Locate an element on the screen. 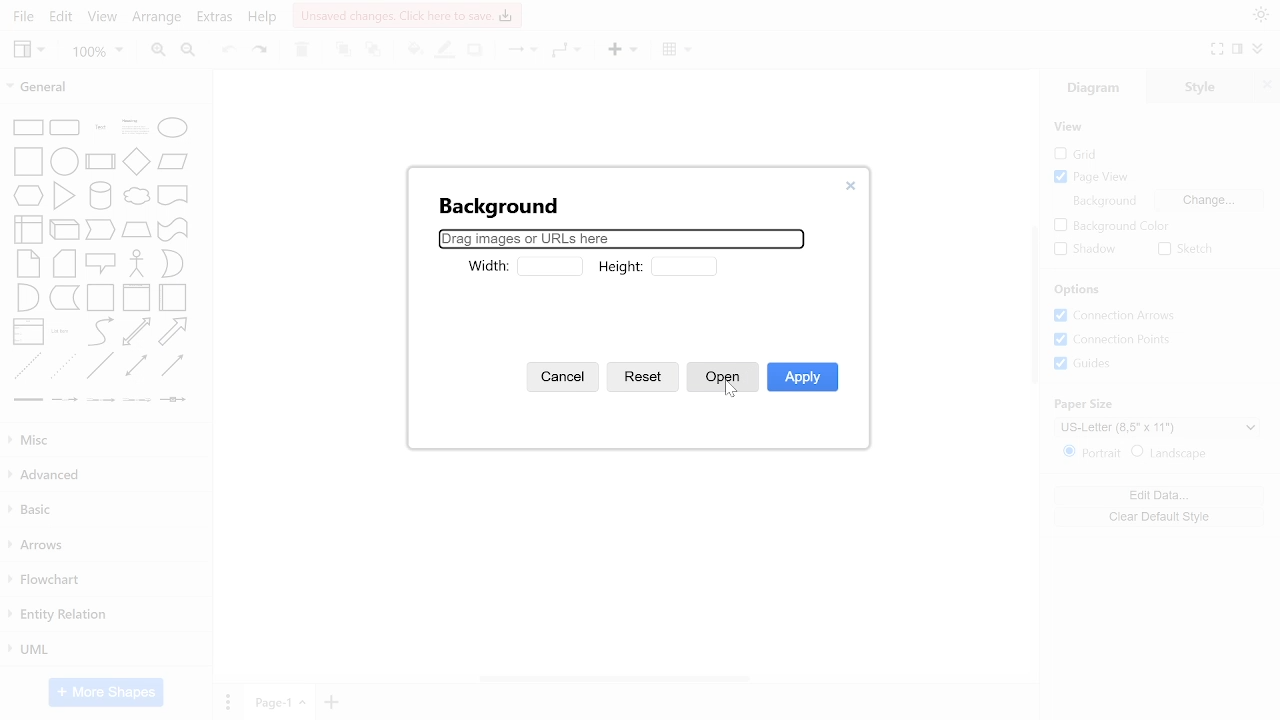  to back is located at coordinates (374, 51).